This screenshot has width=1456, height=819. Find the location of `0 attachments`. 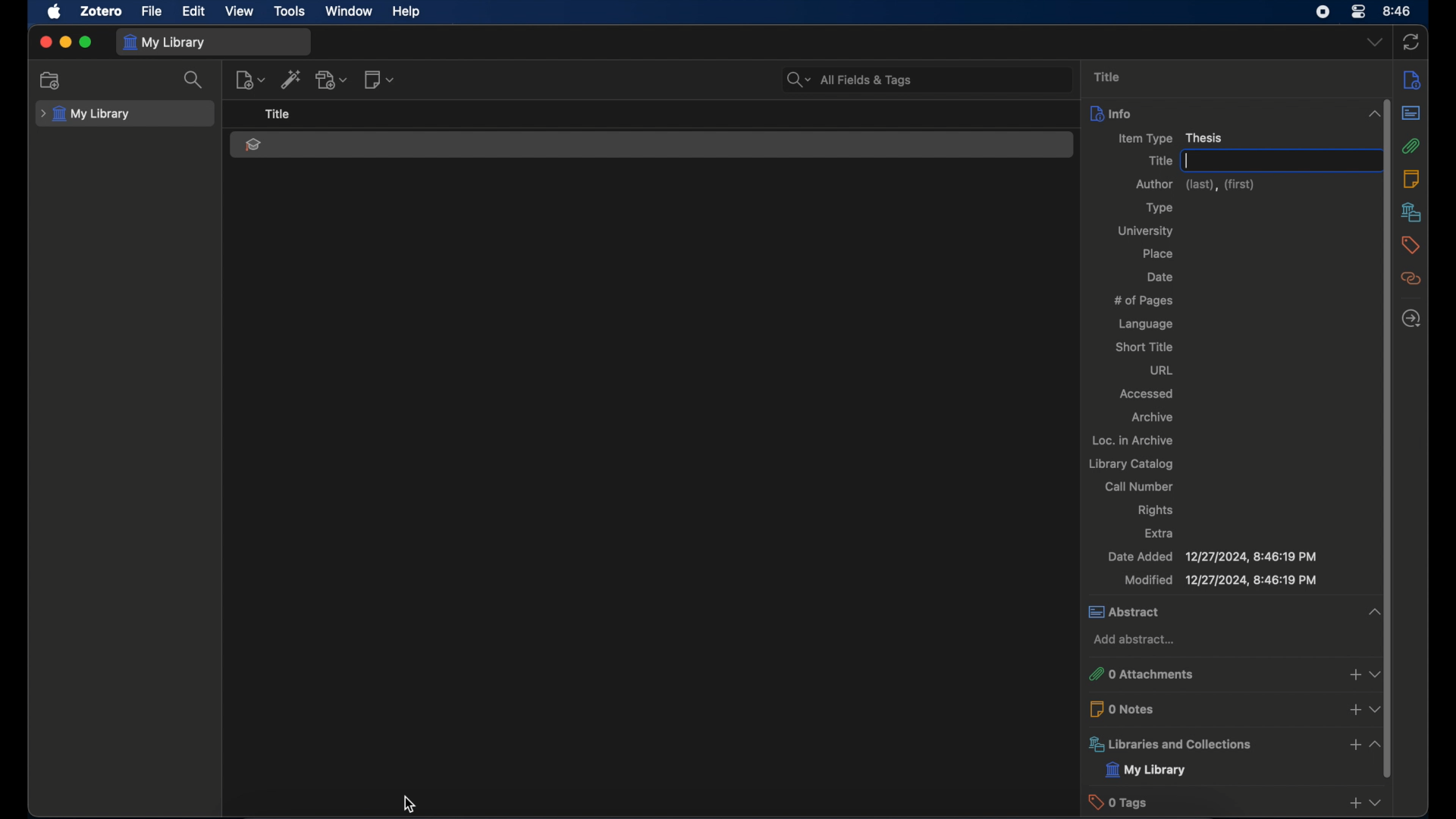

0 attachments is located at coordinates (1209, 674).